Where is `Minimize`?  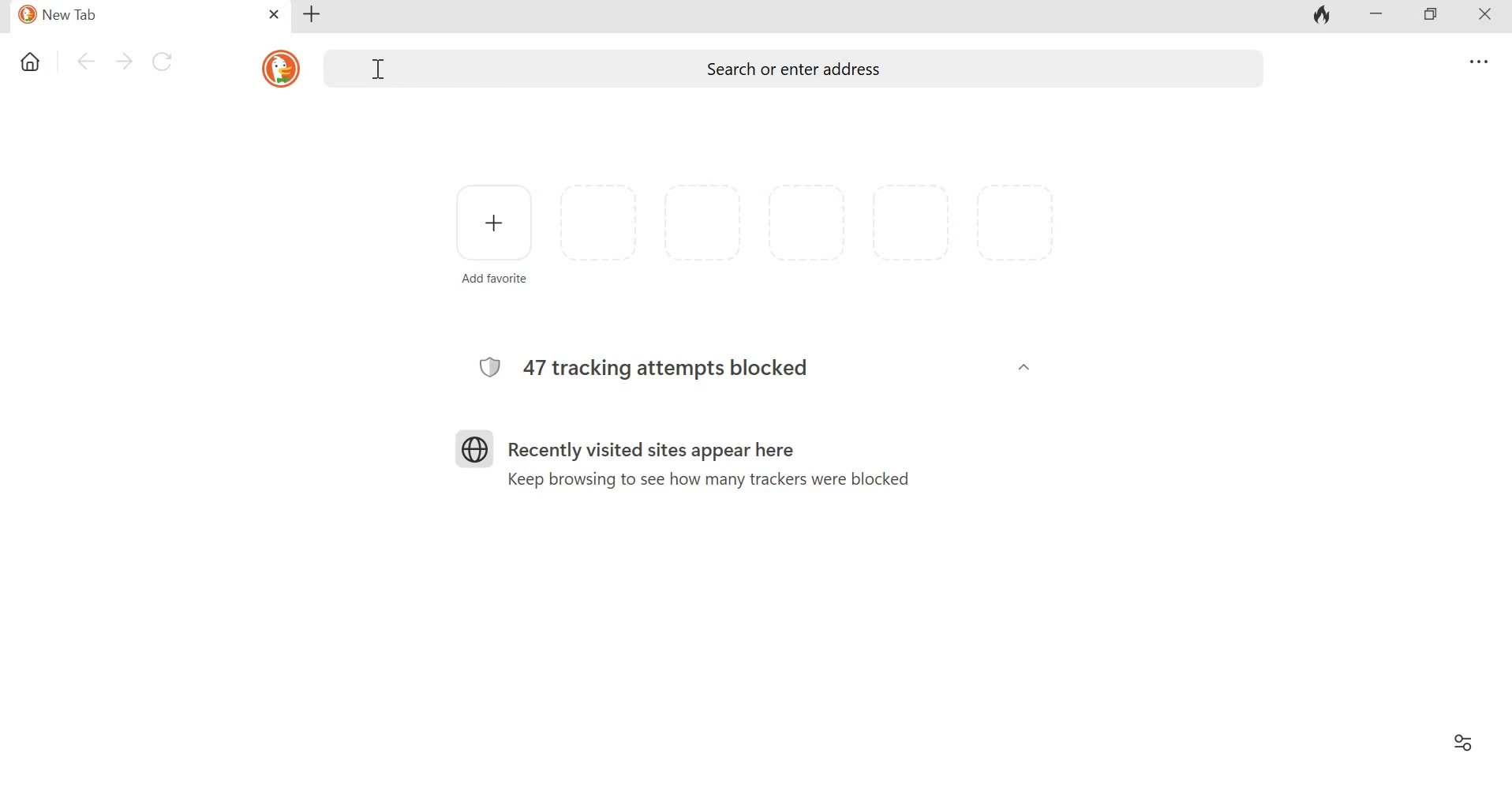
Minimize is located at coordinates (1376, 16).